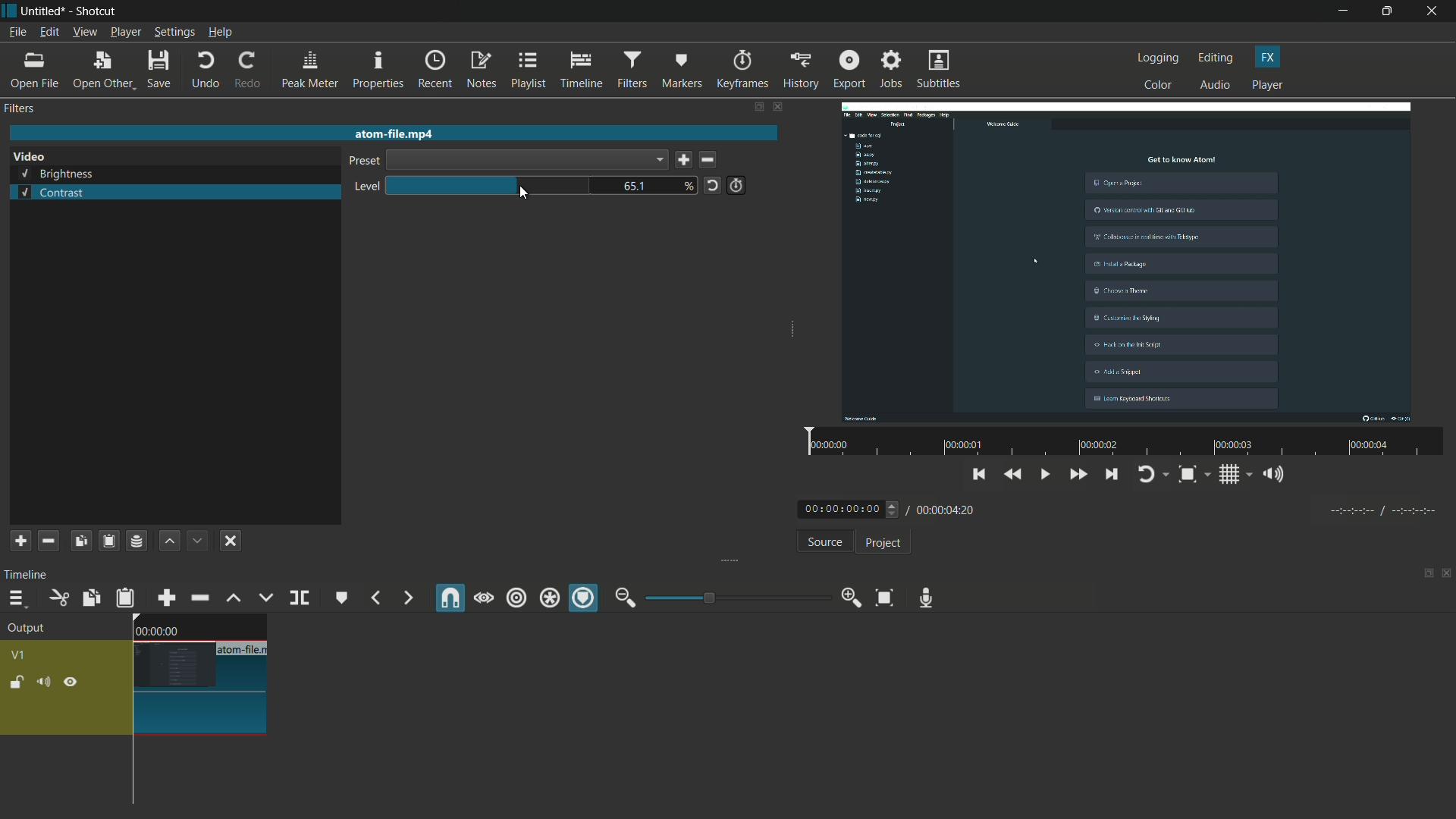  Describe the element at coordinates (127, 32) in the screenshot. I see `player menu` at that location.